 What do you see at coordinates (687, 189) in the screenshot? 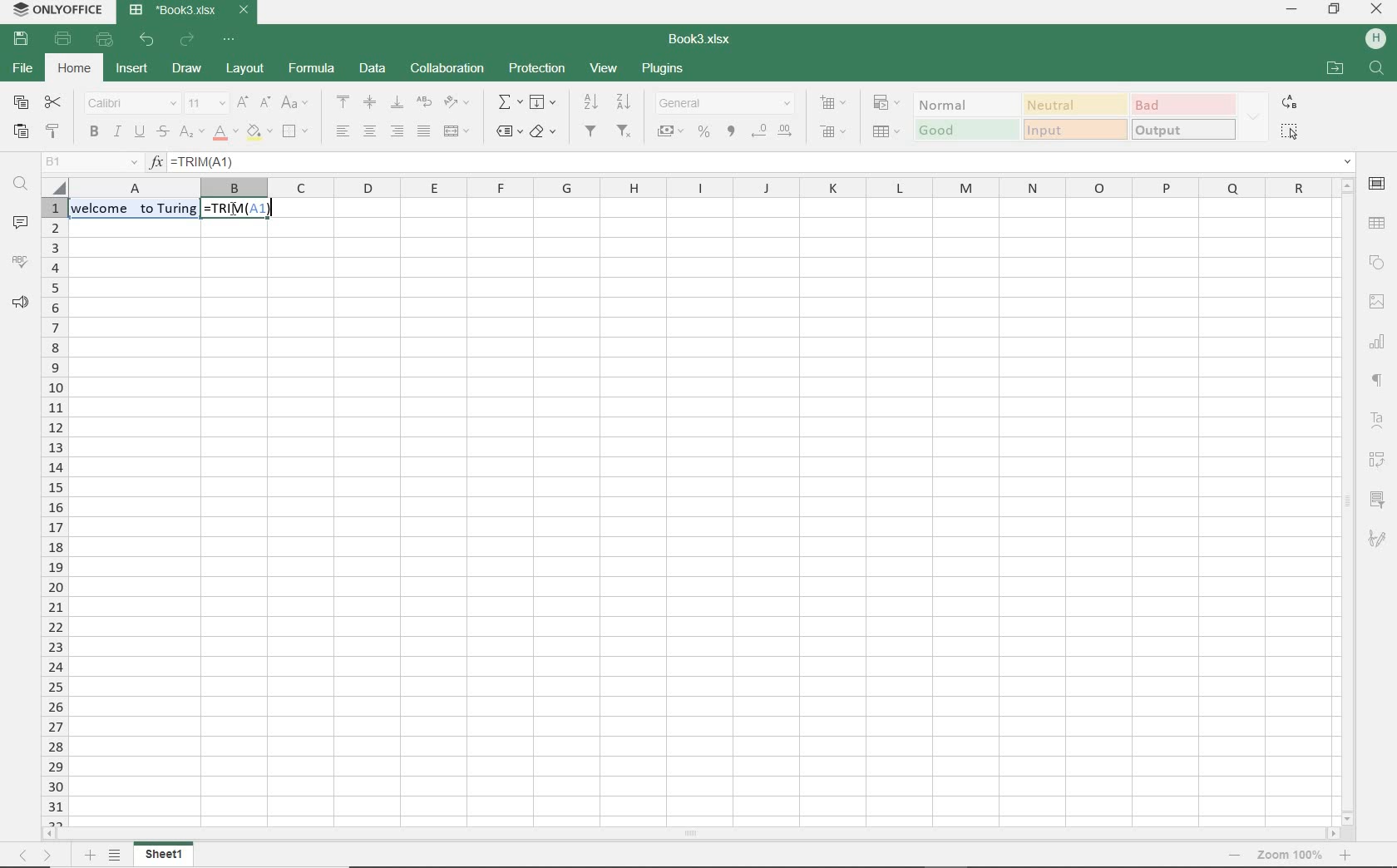
I see `columns` at bounding box center [687, 189].